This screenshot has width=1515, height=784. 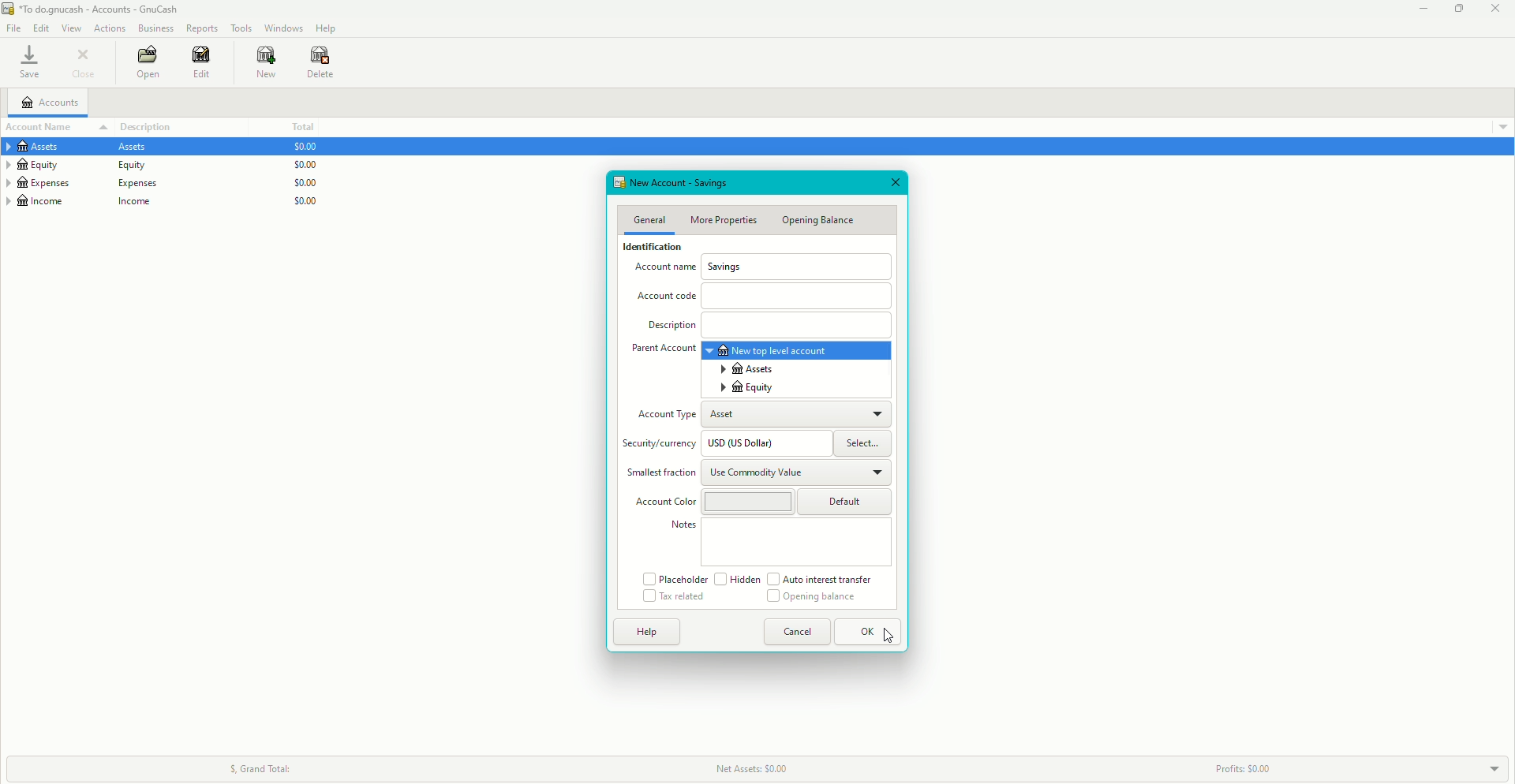 I want to click on New, so click(x=258, y=62).